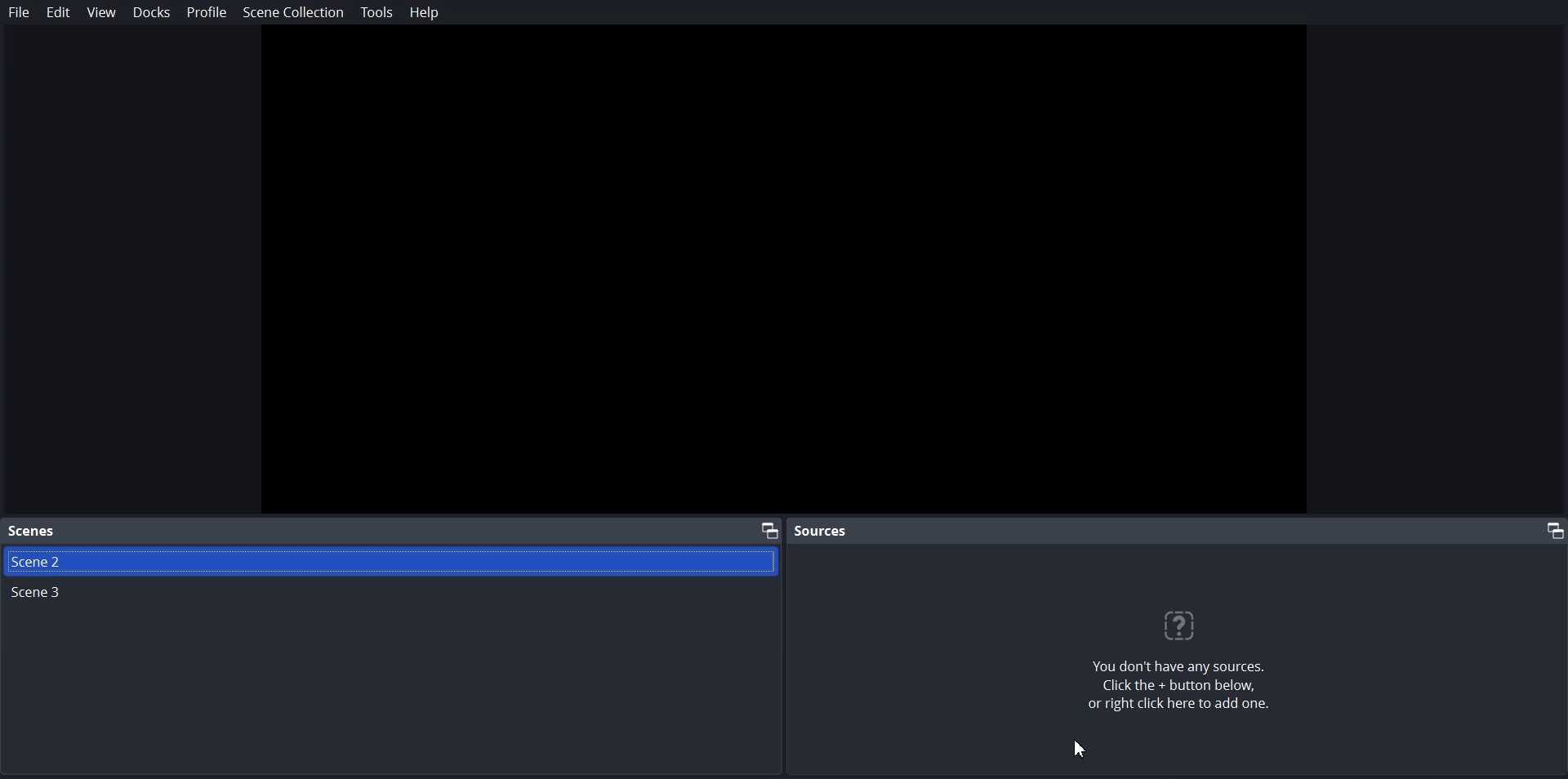 The height and width of the screenshot is (779, 1568). I want to click on Sources, so click(823, 530).